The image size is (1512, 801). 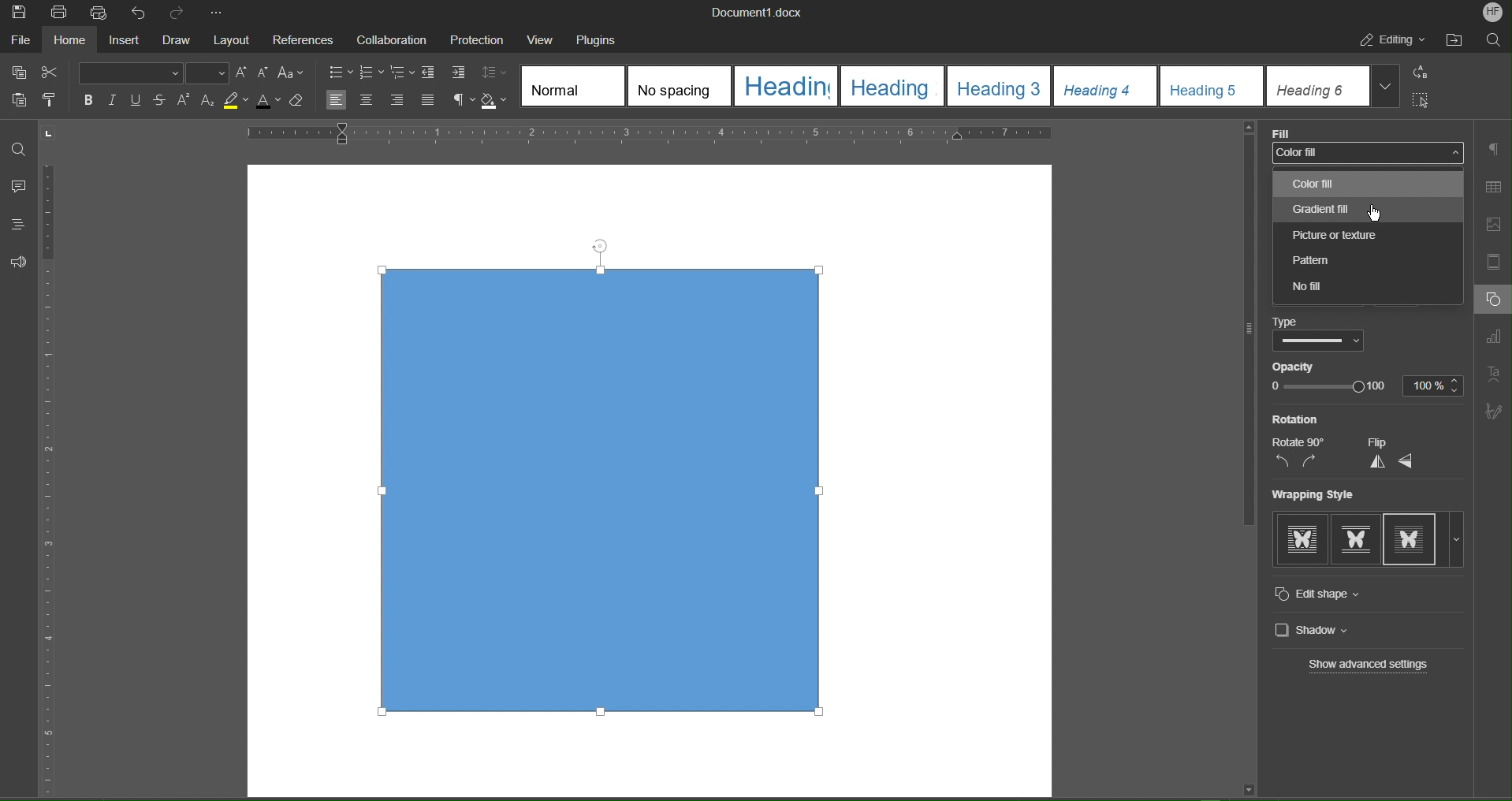 What do you see at coordinates (236, 102) in the screenshot?
I see `Highlight` at bounding box center [236, 102].